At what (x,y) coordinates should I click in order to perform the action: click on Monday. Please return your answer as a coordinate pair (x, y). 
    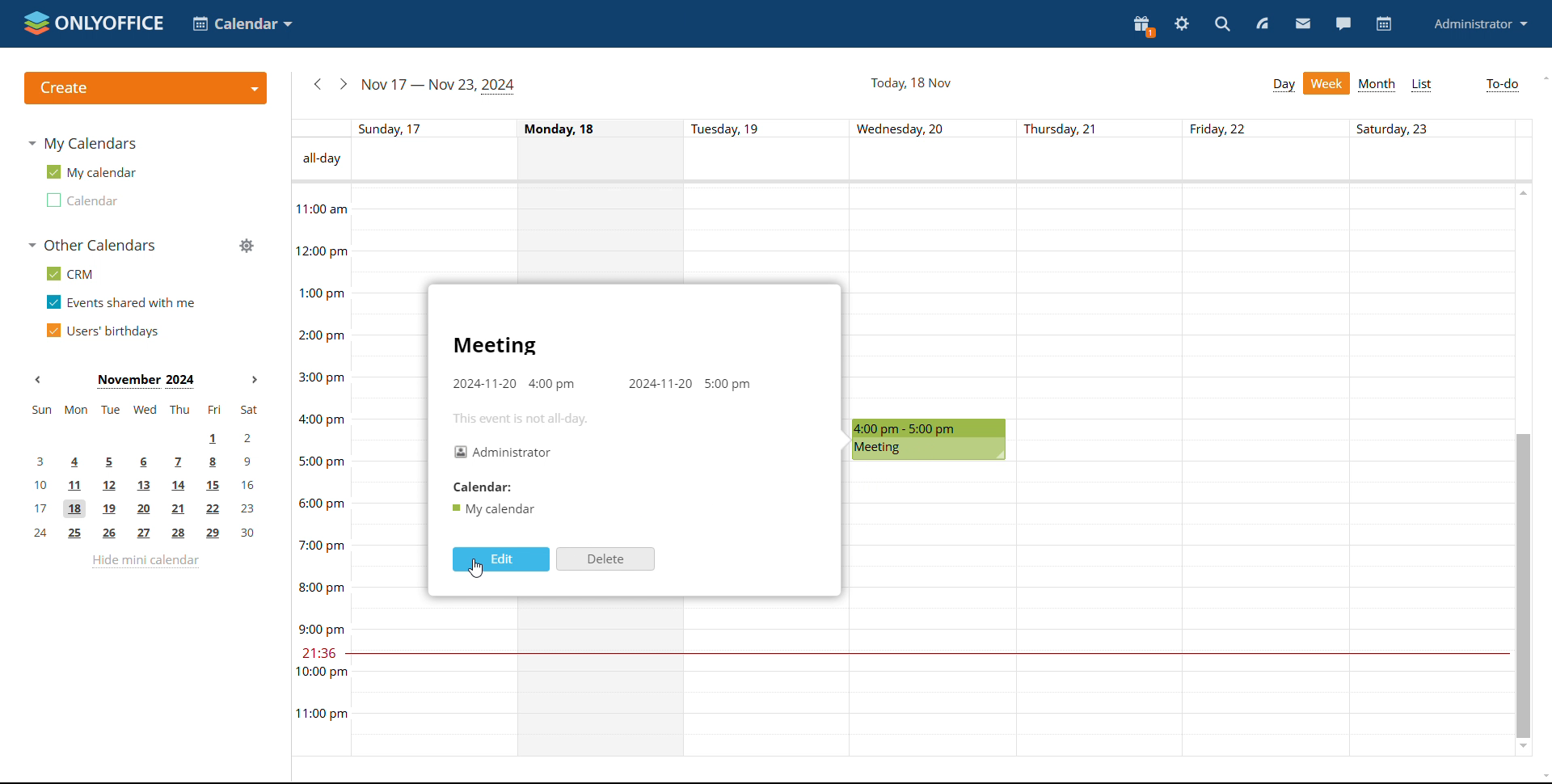
    Looking at the image, I should click on (600, 233).